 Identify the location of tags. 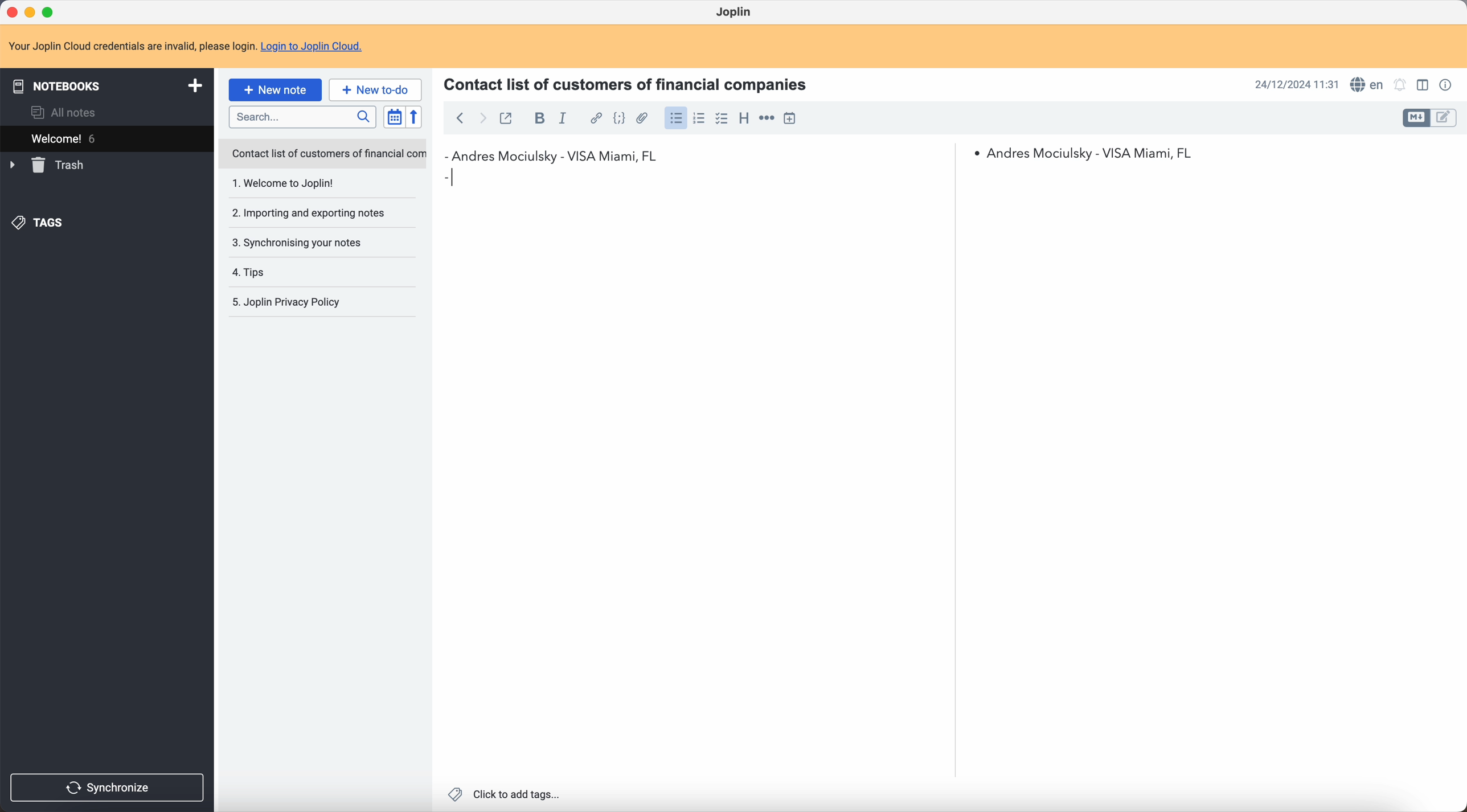
(40, 223).